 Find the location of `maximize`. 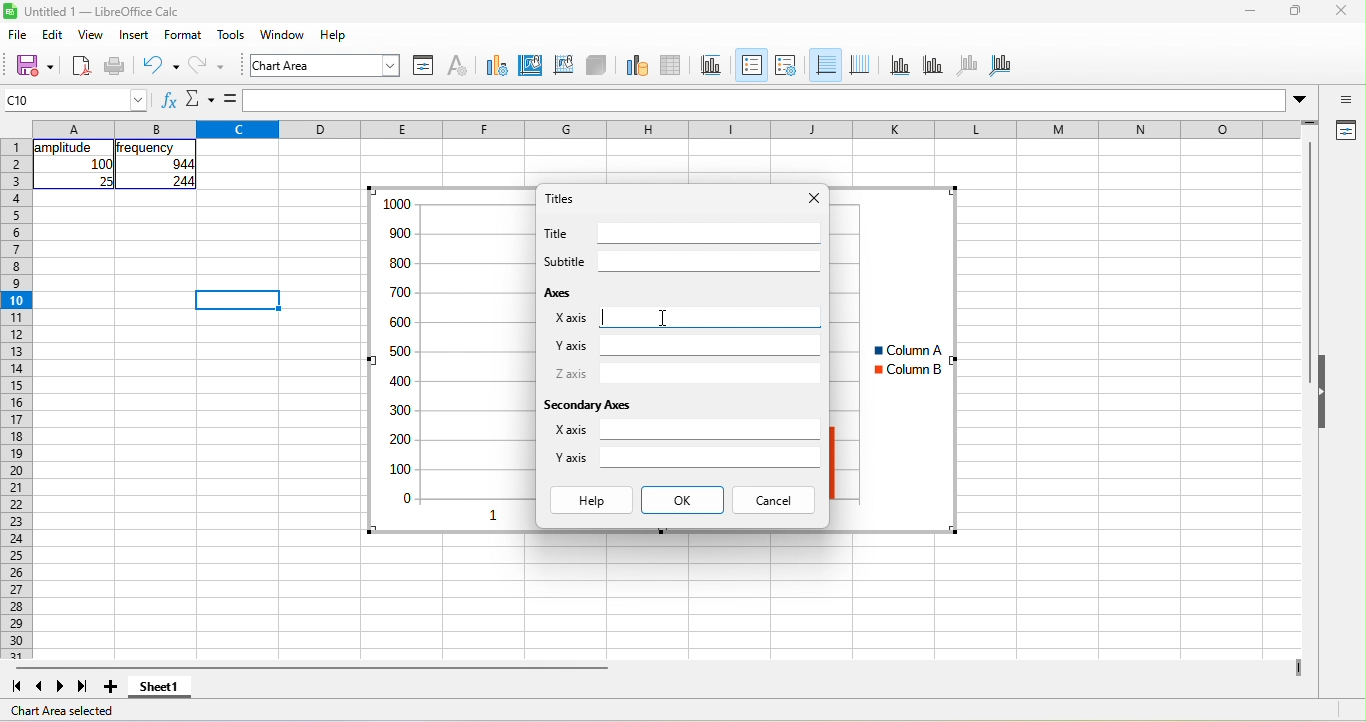

maximize is located at coordinates (1296, 10).